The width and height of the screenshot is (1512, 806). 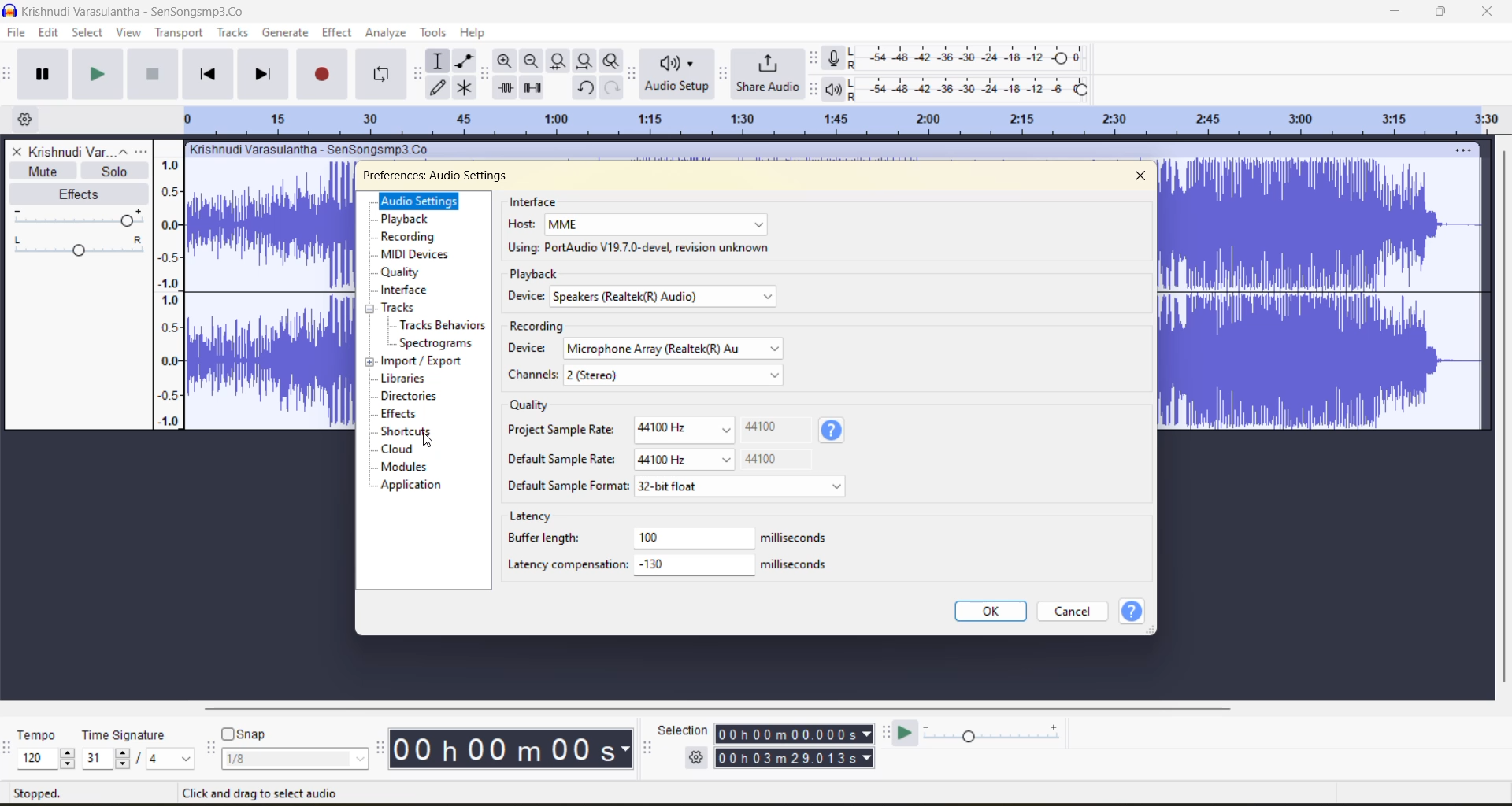 What do you see at coordinates (515, 749) in the screenshot?
I see `time ` at bounding box center [515, 749].